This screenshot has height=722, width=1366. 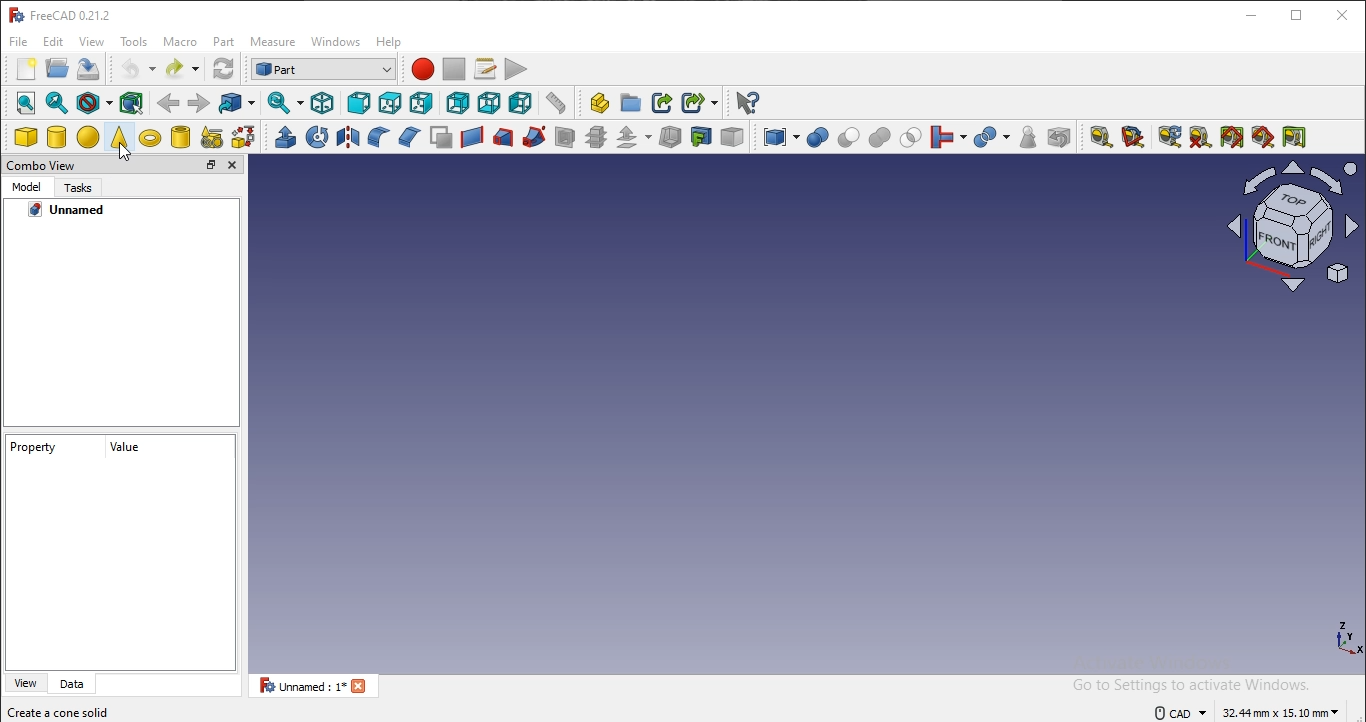 What do you see at coordinates (26, 186) in the screenshot?
I see `model` at bounding box center [26, 186].